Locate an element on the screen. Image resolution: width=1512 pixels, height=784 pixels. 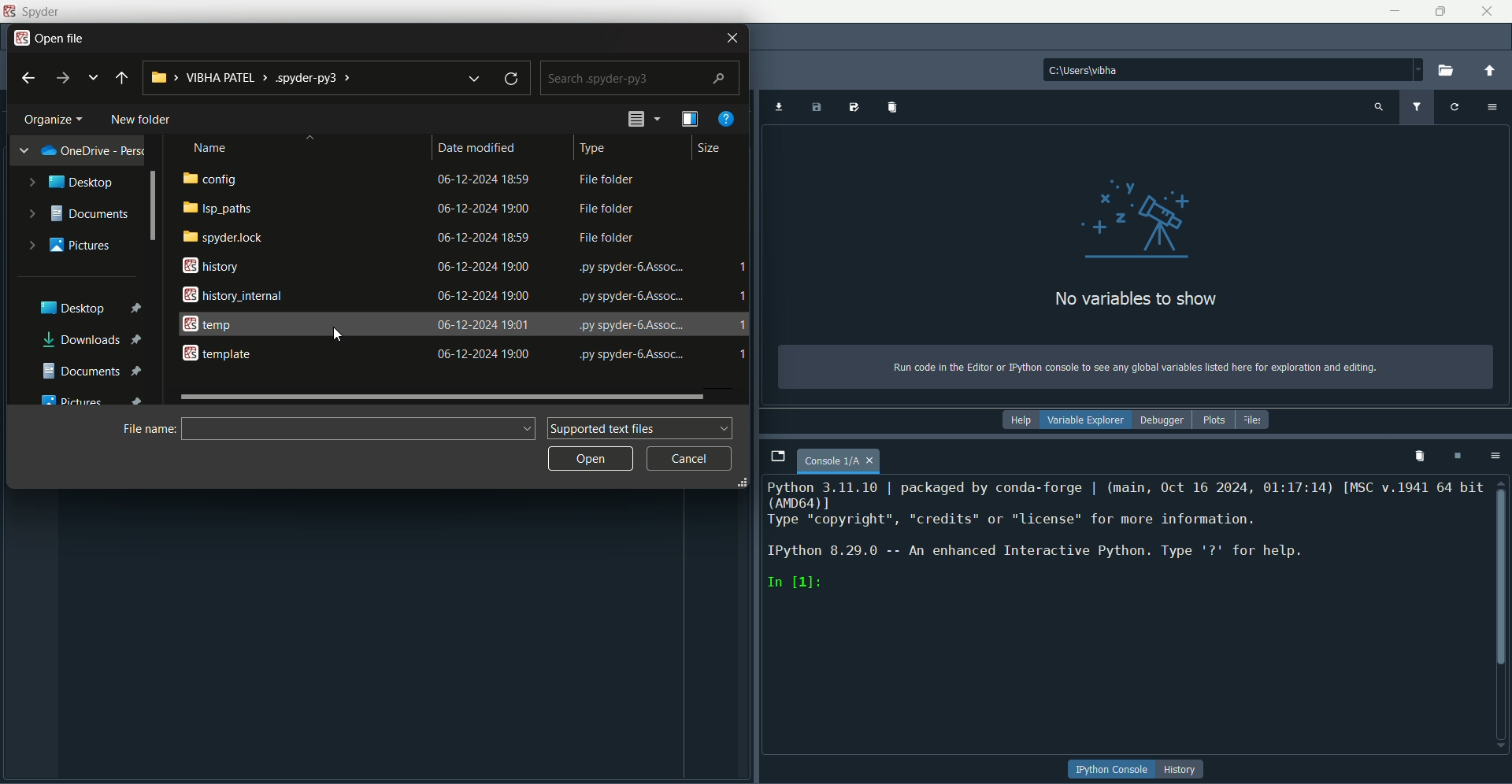
text is located at coordinates (631, 268).